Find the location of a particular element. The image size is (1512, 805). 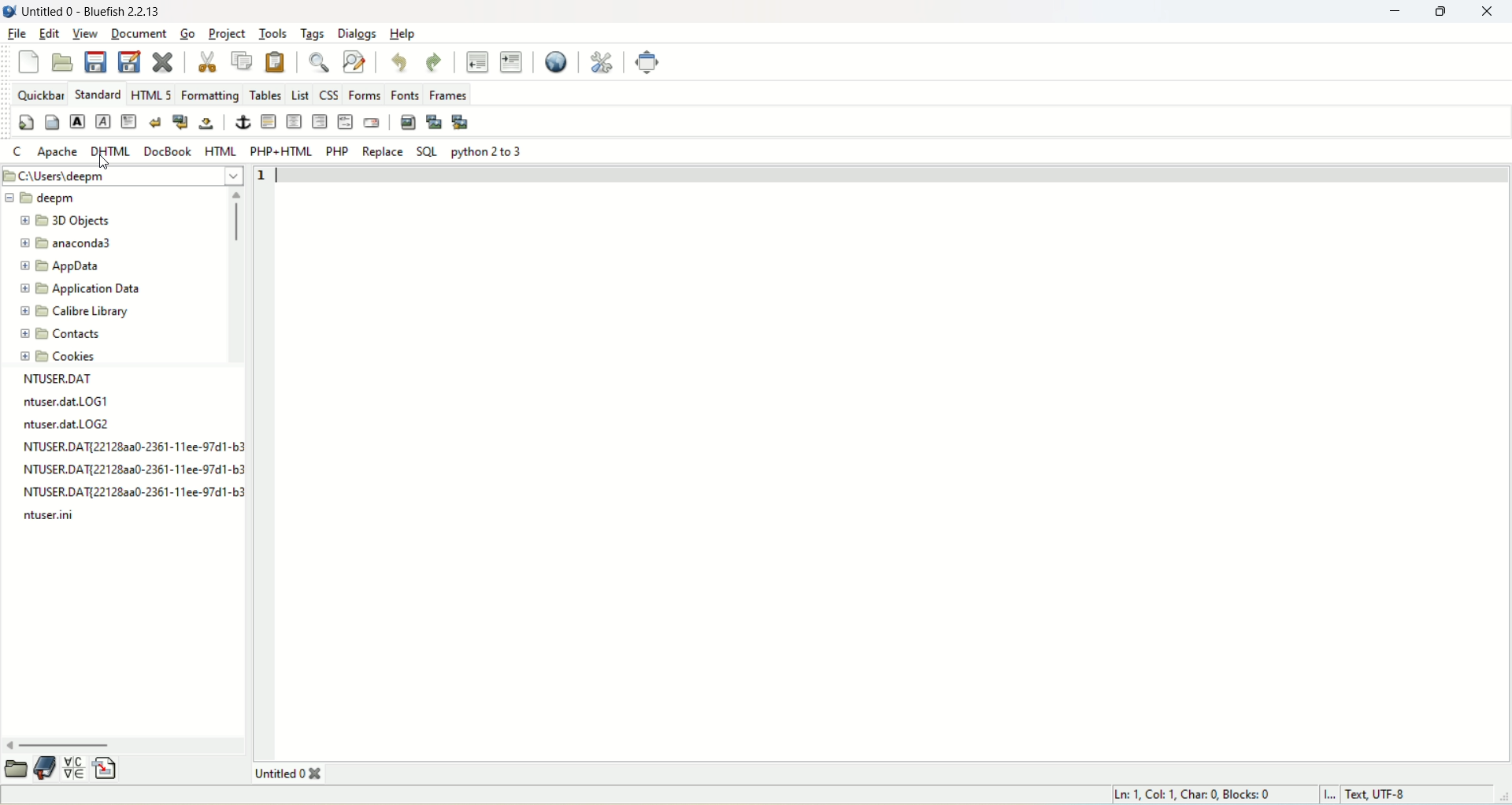

SQL is located at coordinates (426, 150).